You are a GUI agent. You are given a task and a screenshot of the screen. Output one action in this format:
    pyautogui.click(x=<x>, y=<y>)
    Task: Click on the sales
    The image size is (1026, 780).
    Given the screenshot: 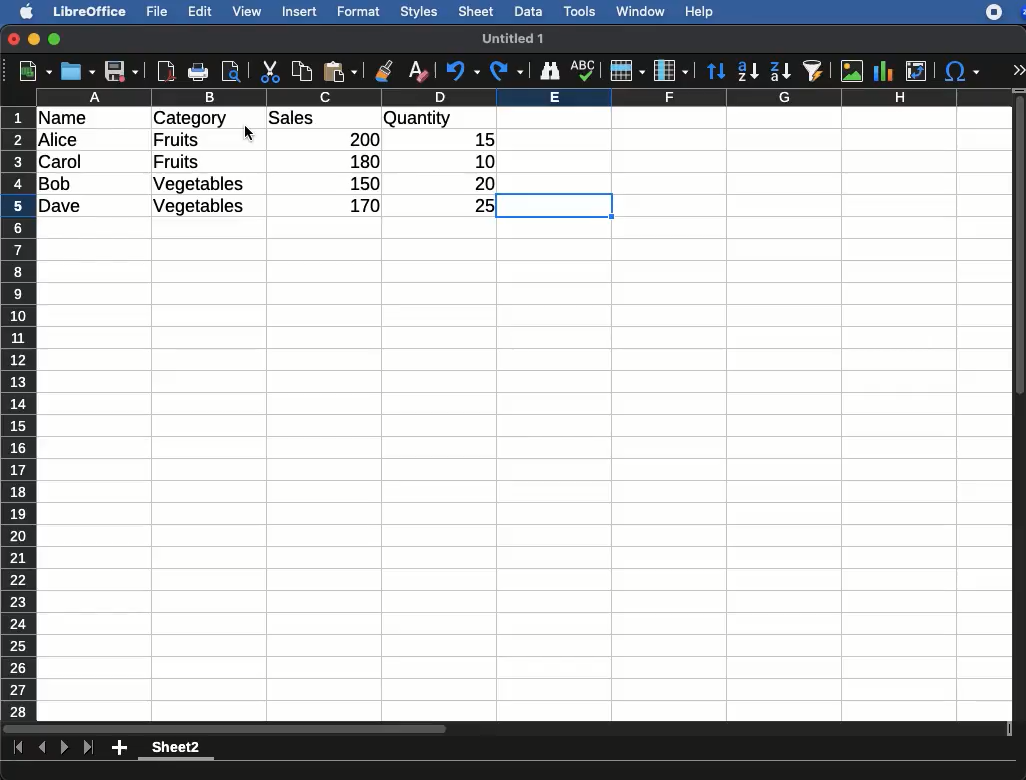 What is the action you would take?
    pyautogui.click(x=325, y=119)
    